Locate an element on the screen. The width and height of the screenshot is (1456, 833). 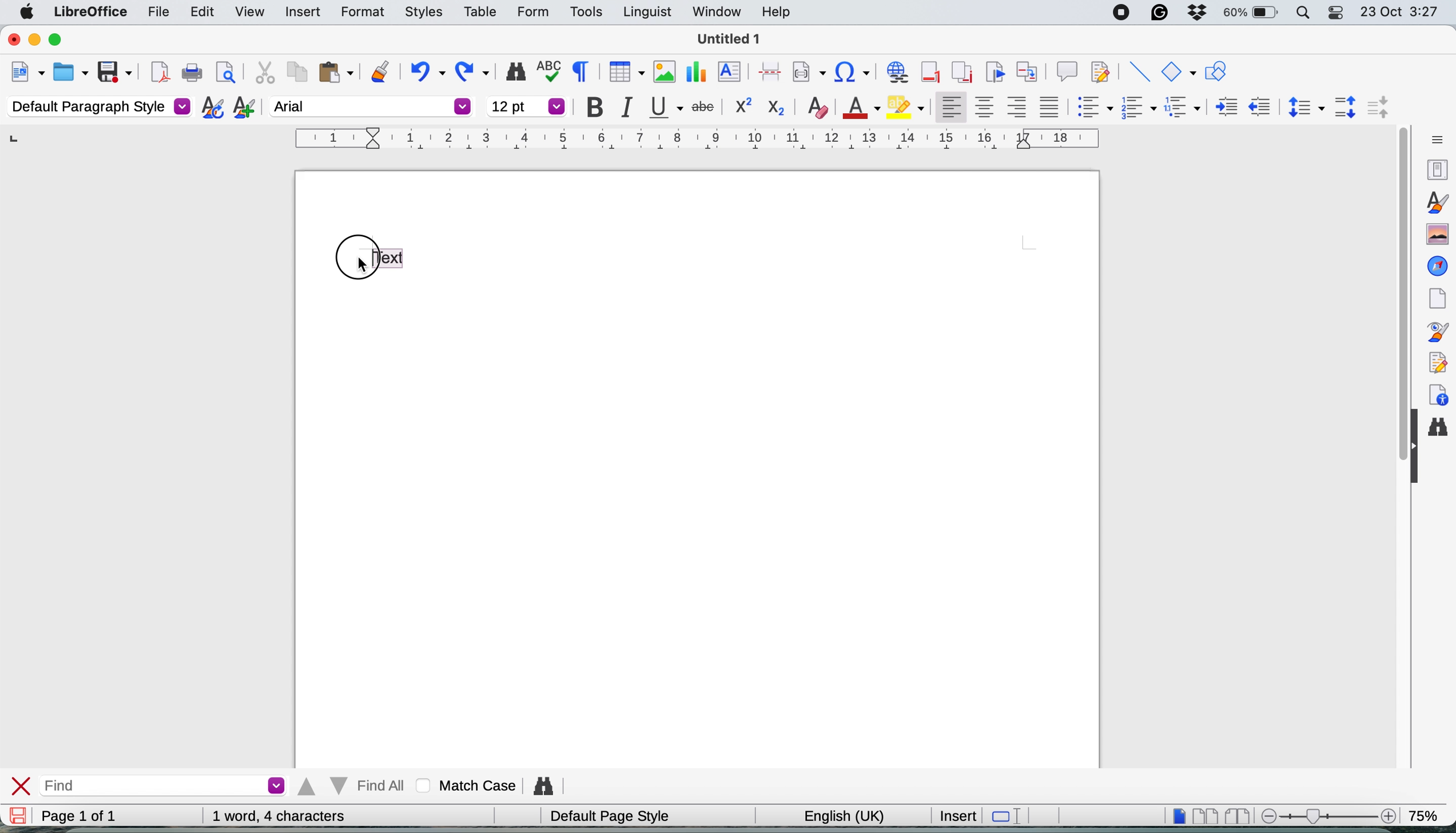
properties is located at coordinates (1437, 170).